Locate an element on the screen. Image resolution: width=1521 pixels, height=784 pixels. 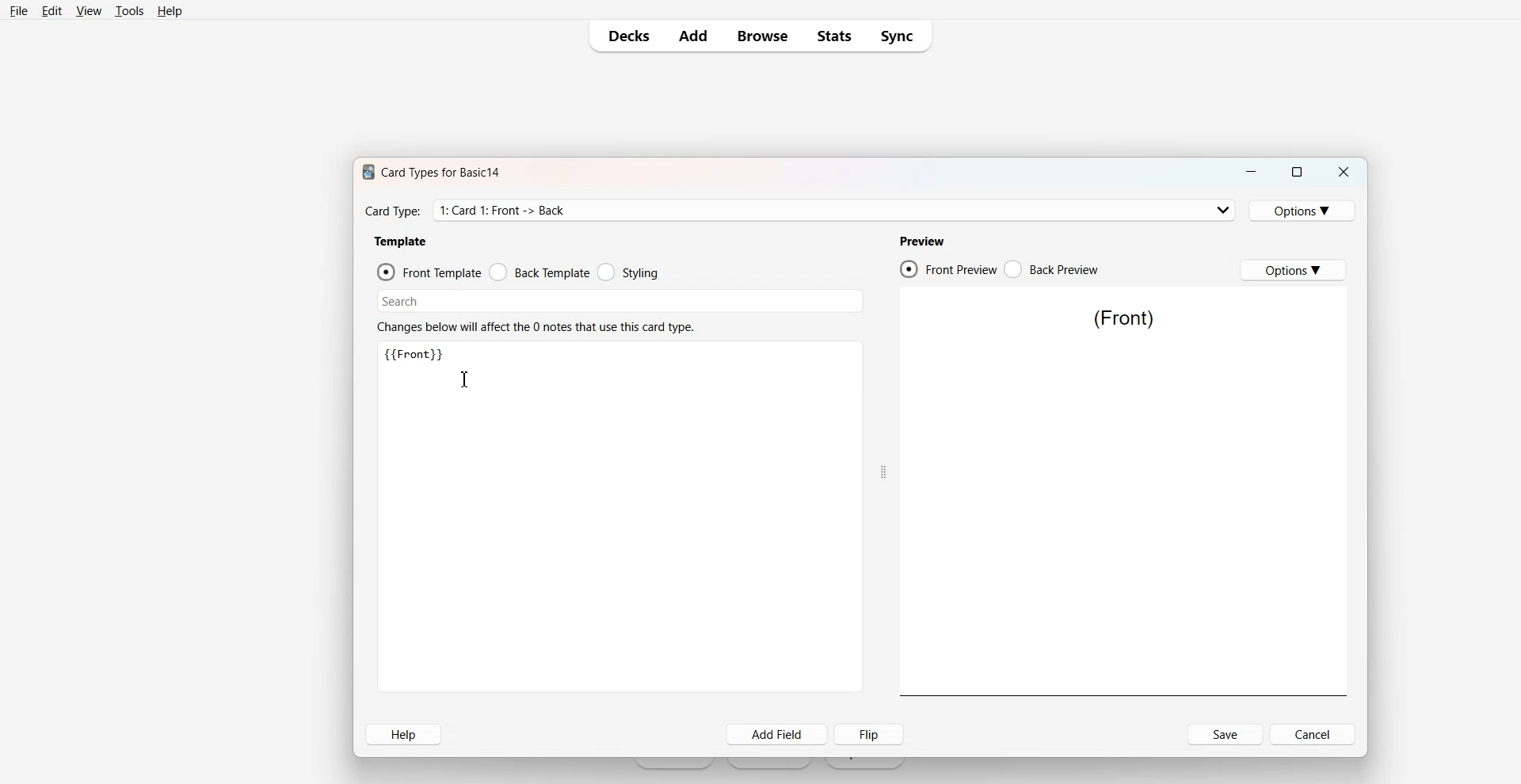
Search Bar is located at coordinates (620, 301).